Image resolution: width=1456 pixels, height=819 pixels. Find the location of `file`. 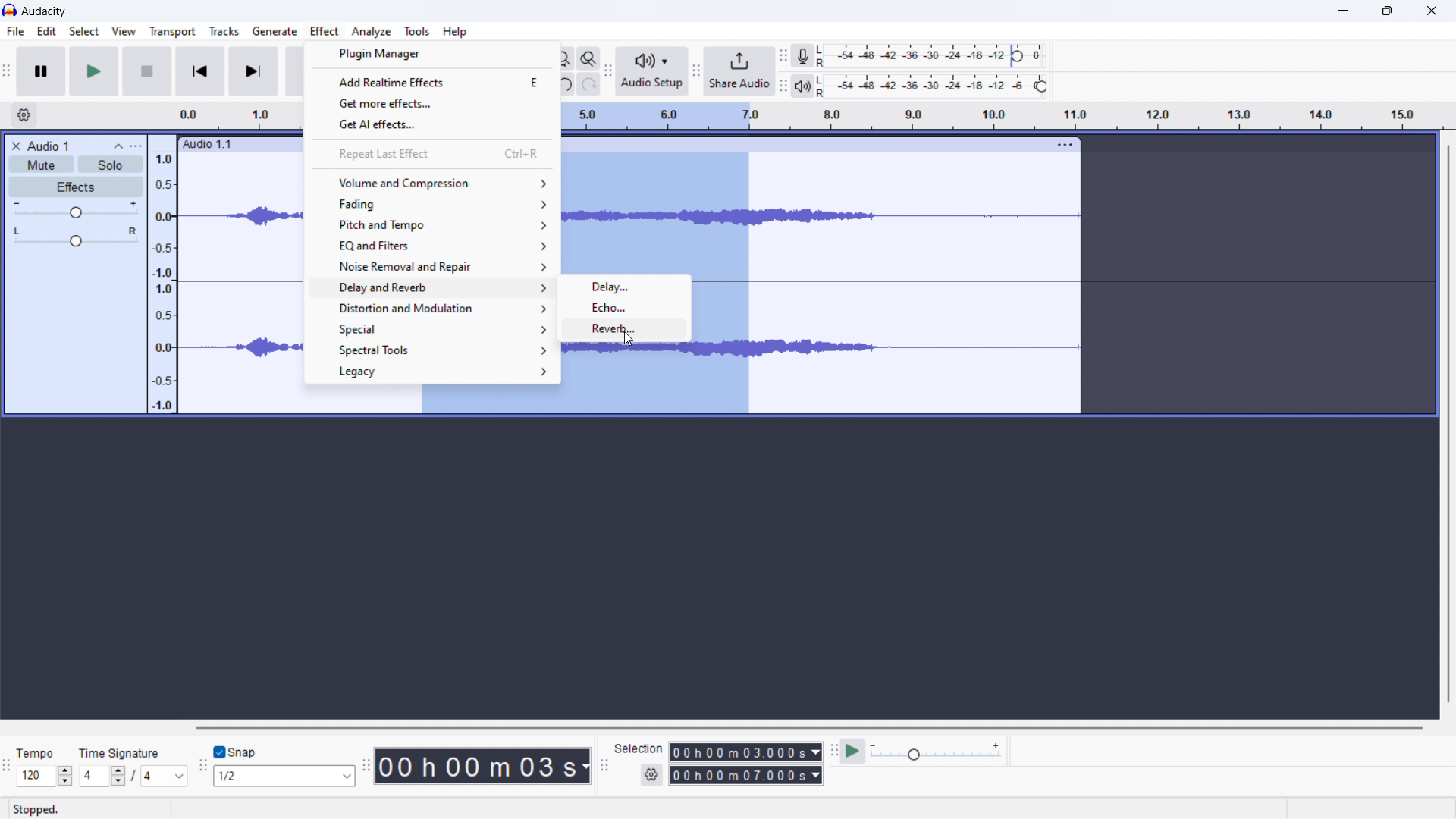

file is located at coordinates (16, 31).